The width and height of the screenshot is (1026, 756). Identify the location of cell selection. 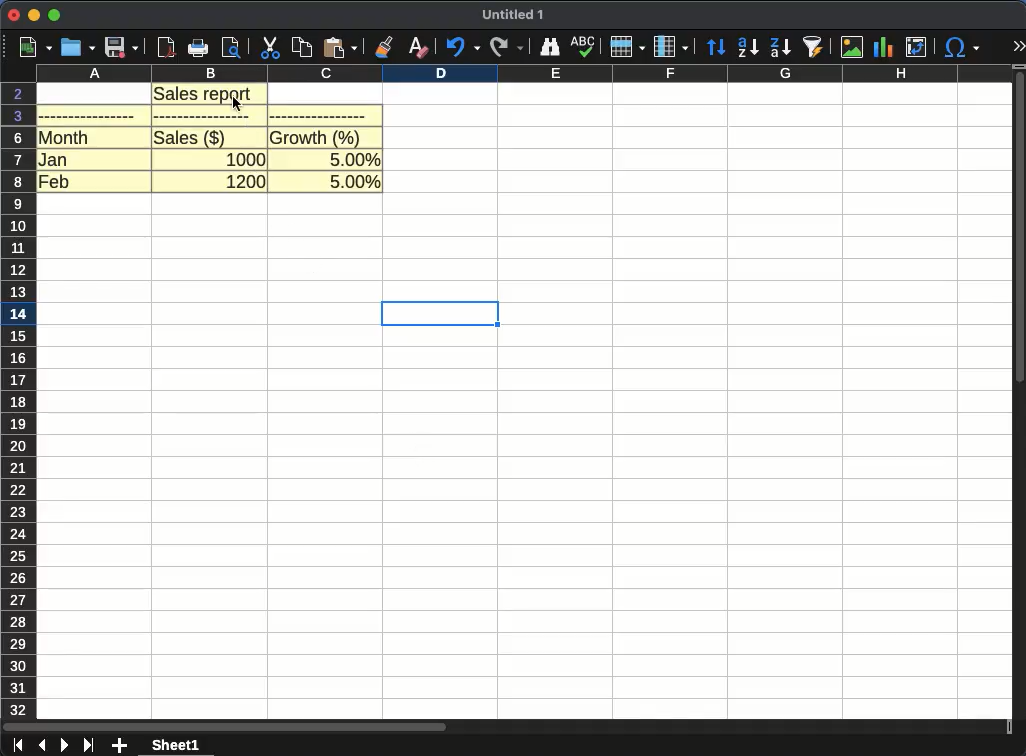
(439, 313).